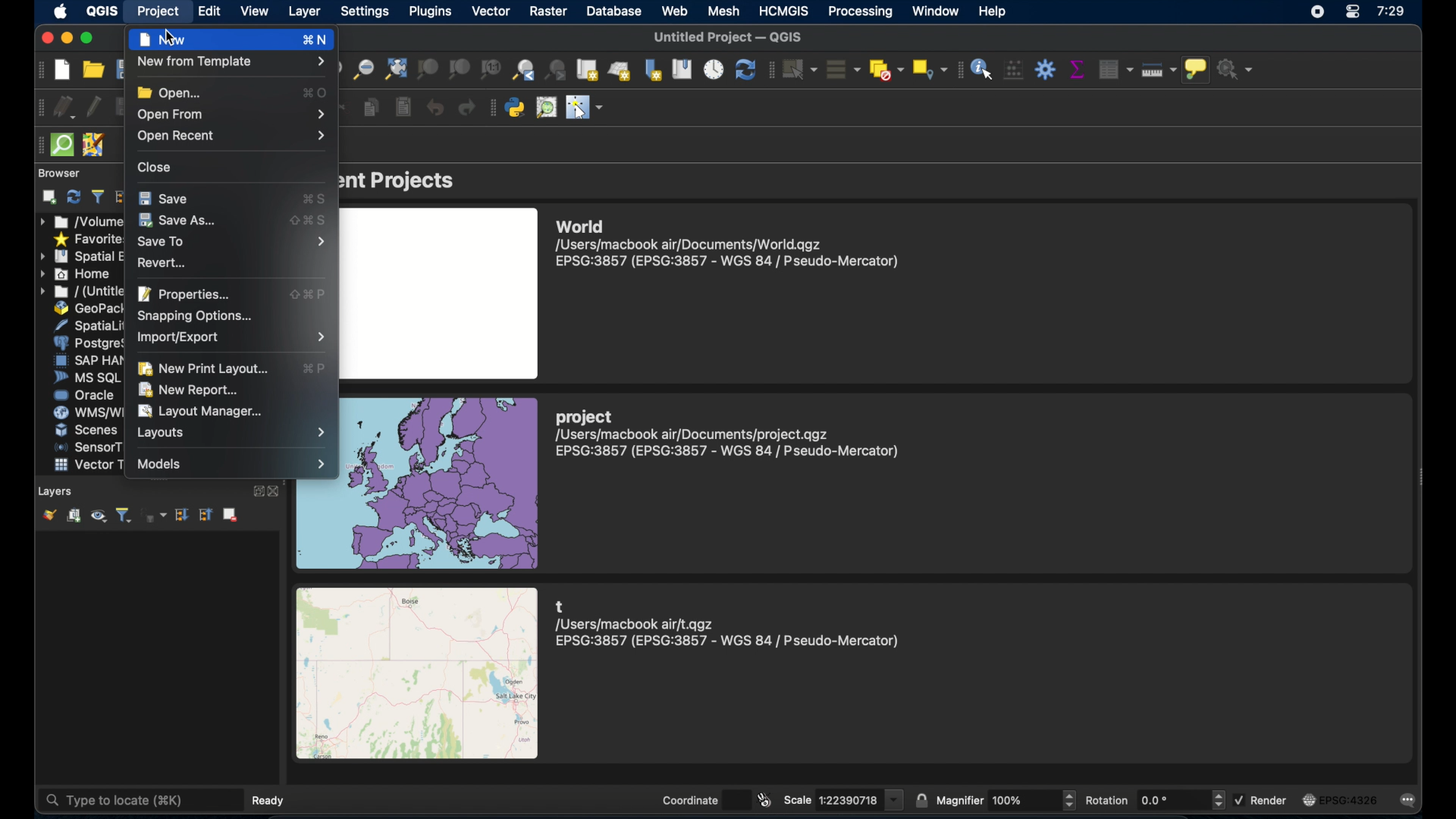 The width and height of the screenshot is (1456, 819). I want to click on identify features, so click(984, 71).